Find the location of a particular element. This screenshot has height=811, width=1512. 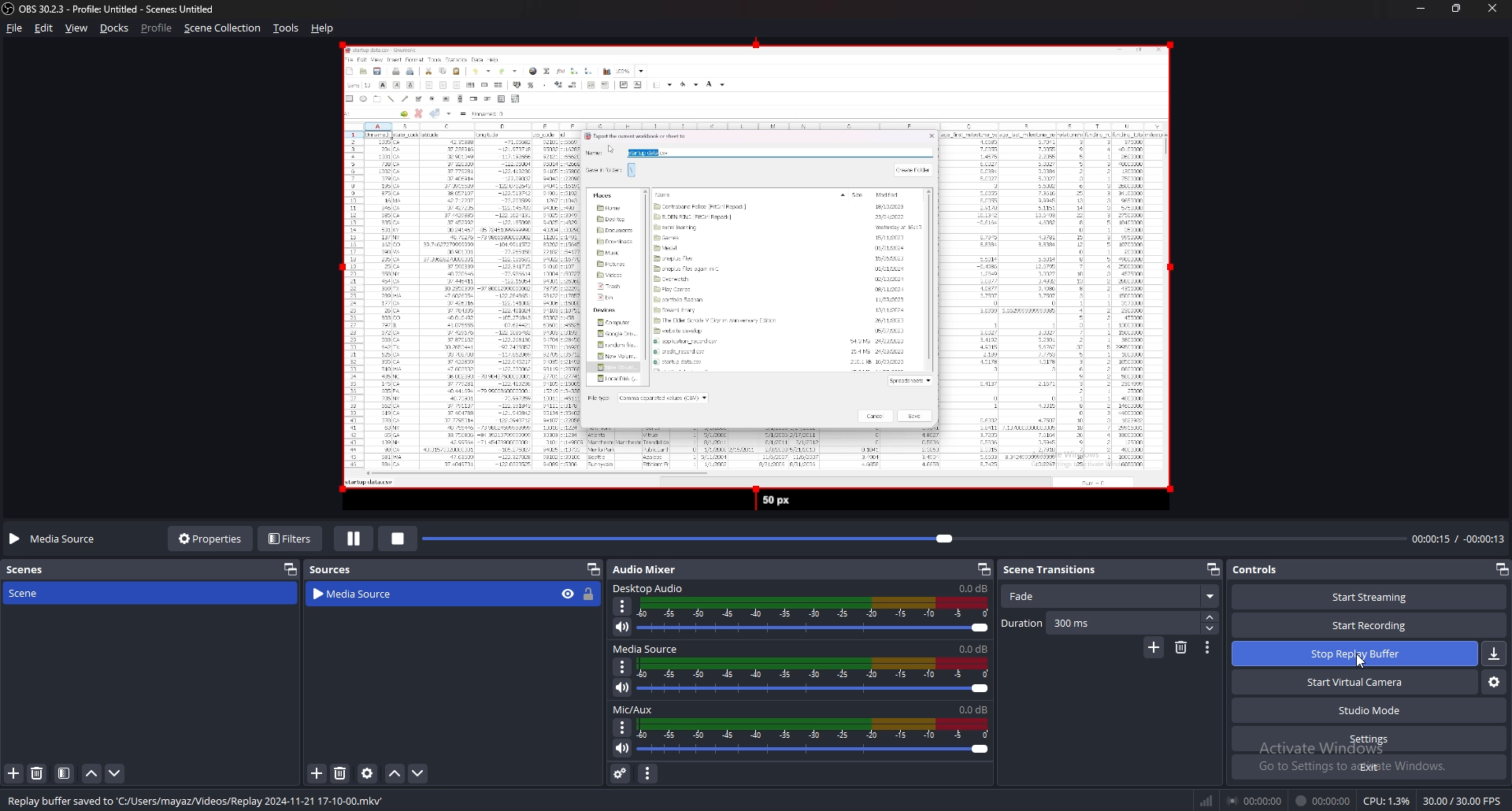

CPU: 1.3% is located at coordinates (1387, 801).